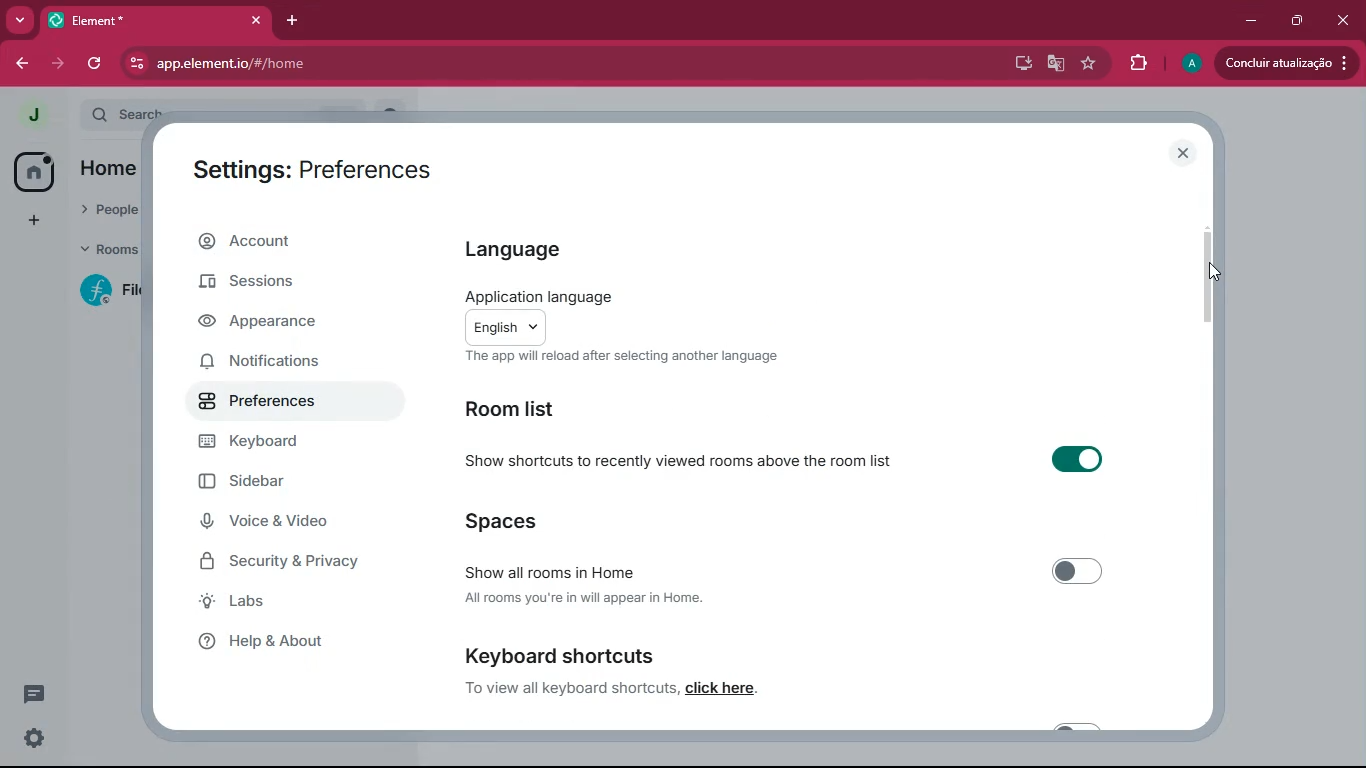  I want to click on sessions, so click(288, 288).